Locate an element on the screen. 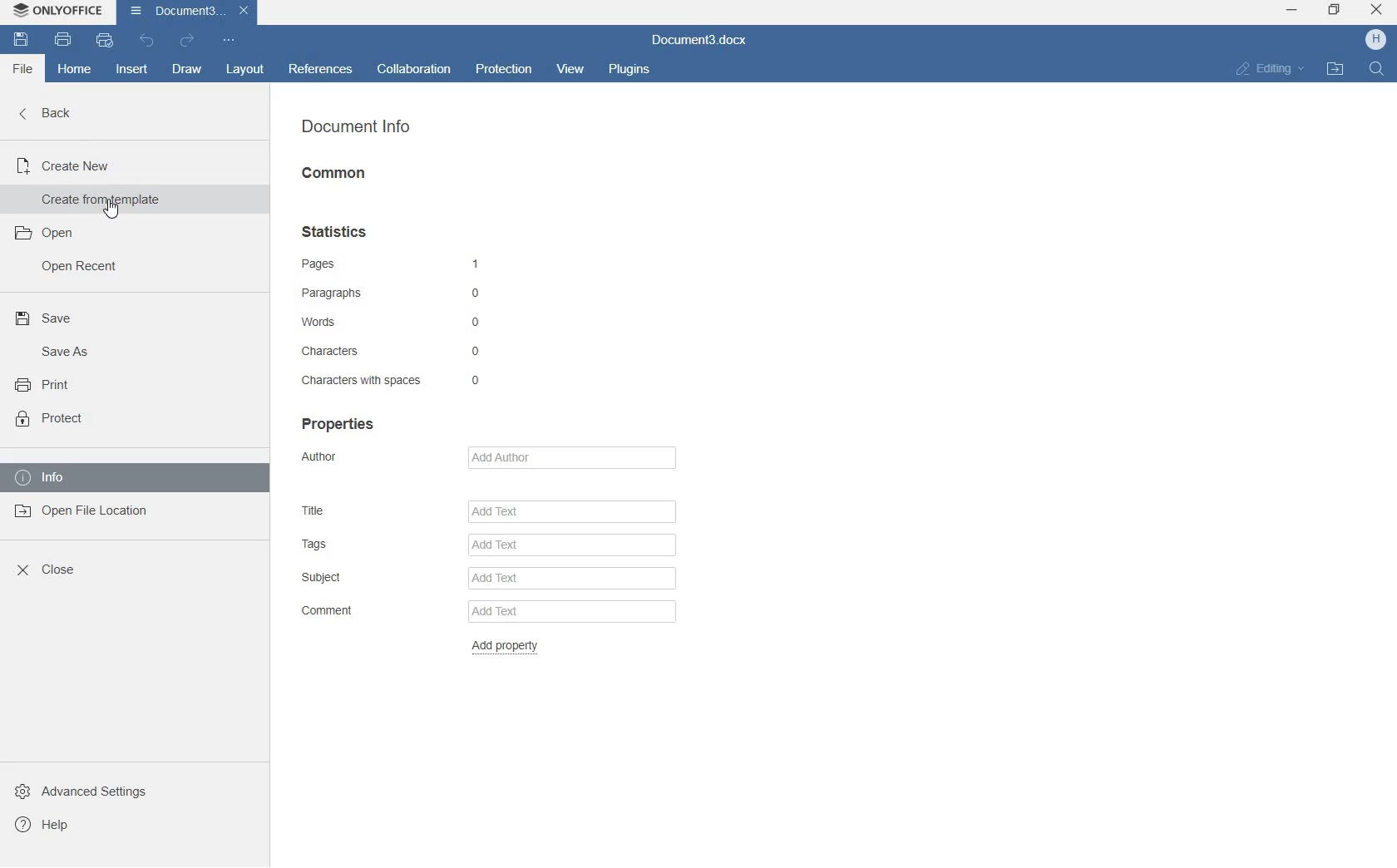 This screenshot has width=1397, height=868. view is located at coordinates (572, 71).